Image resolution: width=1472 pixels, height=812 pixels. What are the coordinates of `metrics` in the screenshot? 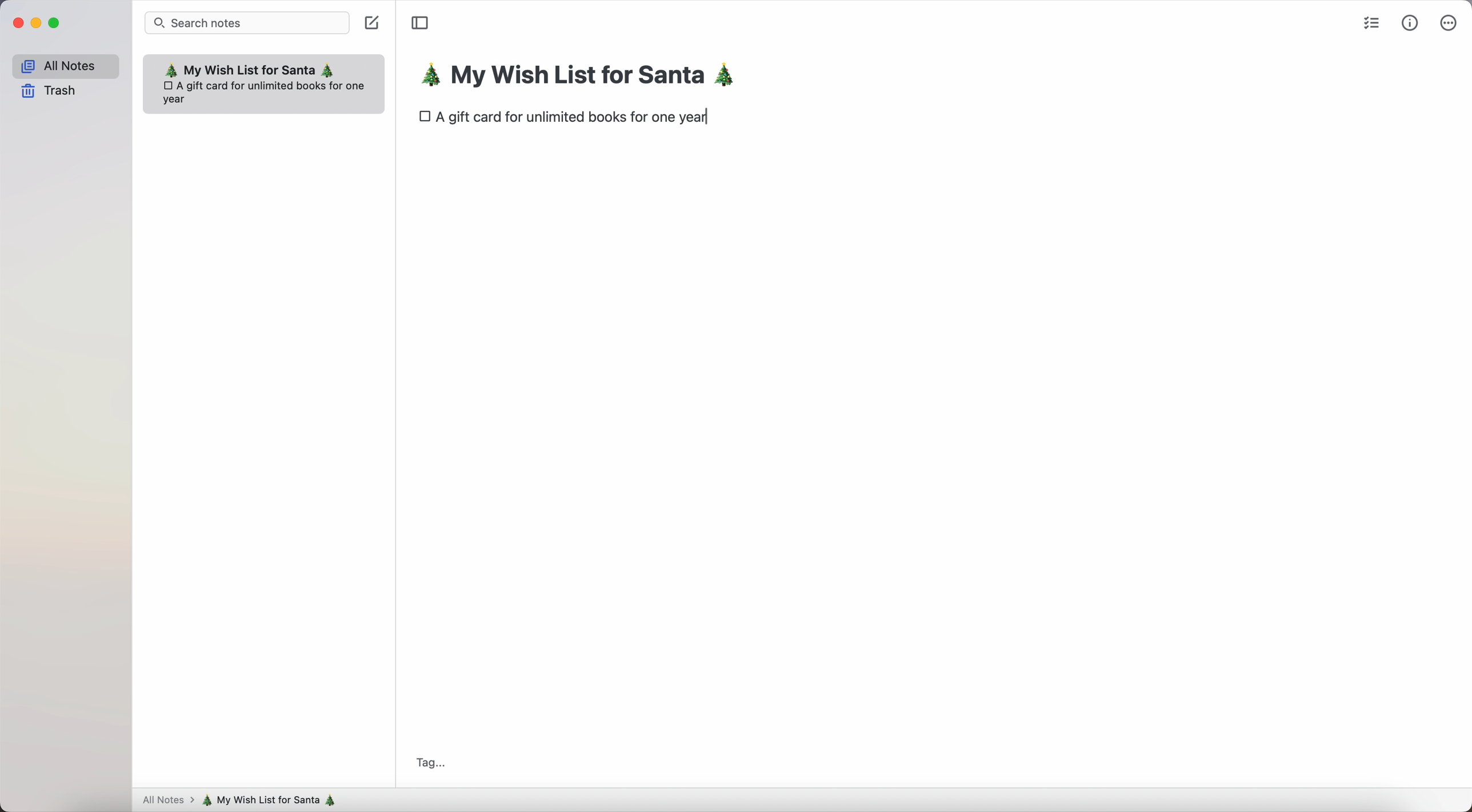 It's located at (1410, 22).